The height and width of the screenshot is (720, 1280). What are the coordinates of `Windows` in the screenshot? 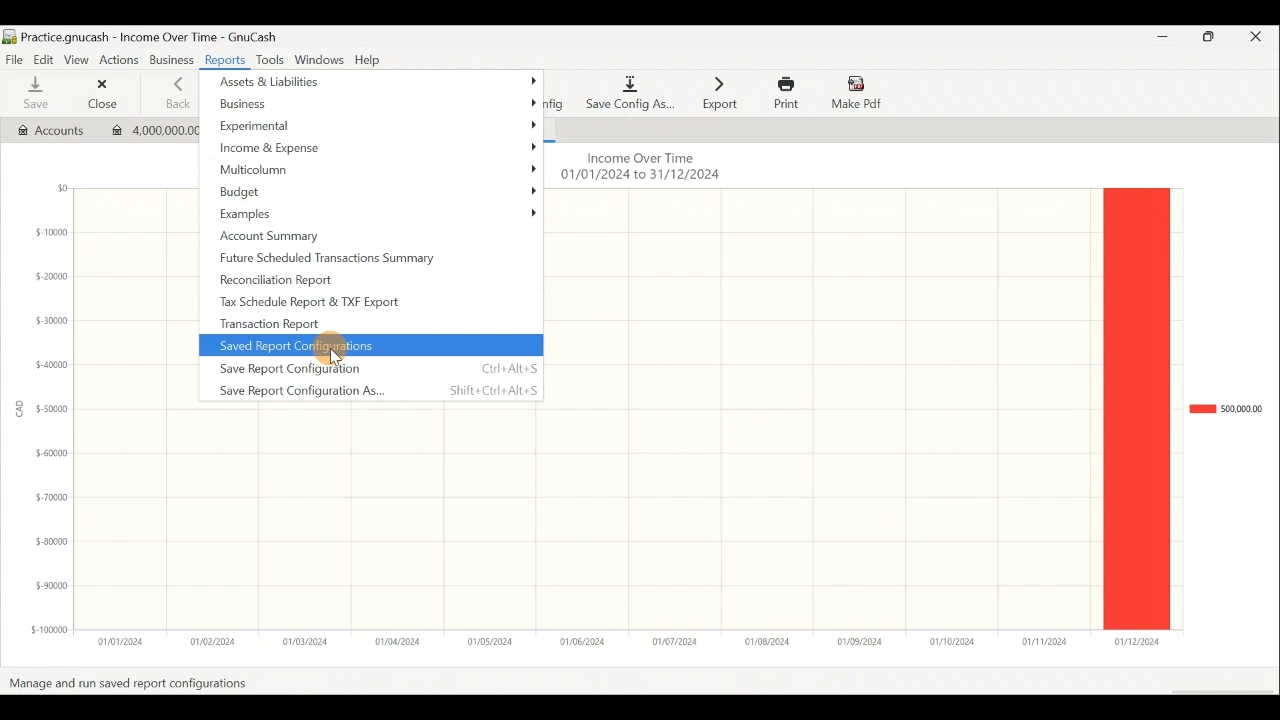 It's located at (320, 61).